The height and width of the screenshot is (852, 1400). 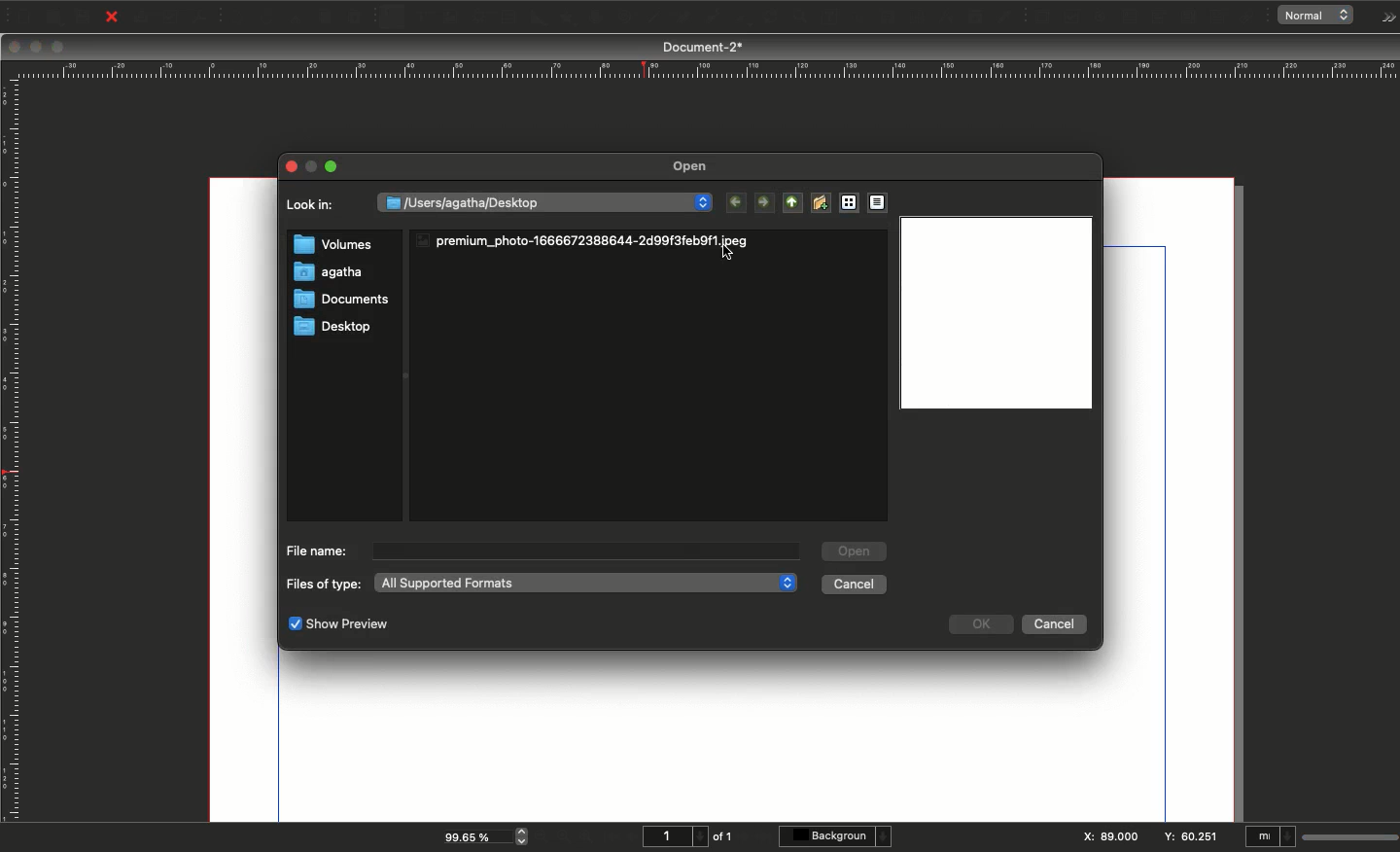 What do you see at coordinates (995, 315) in the screenshot?
I see `Display` at bounding box center [995, 315].